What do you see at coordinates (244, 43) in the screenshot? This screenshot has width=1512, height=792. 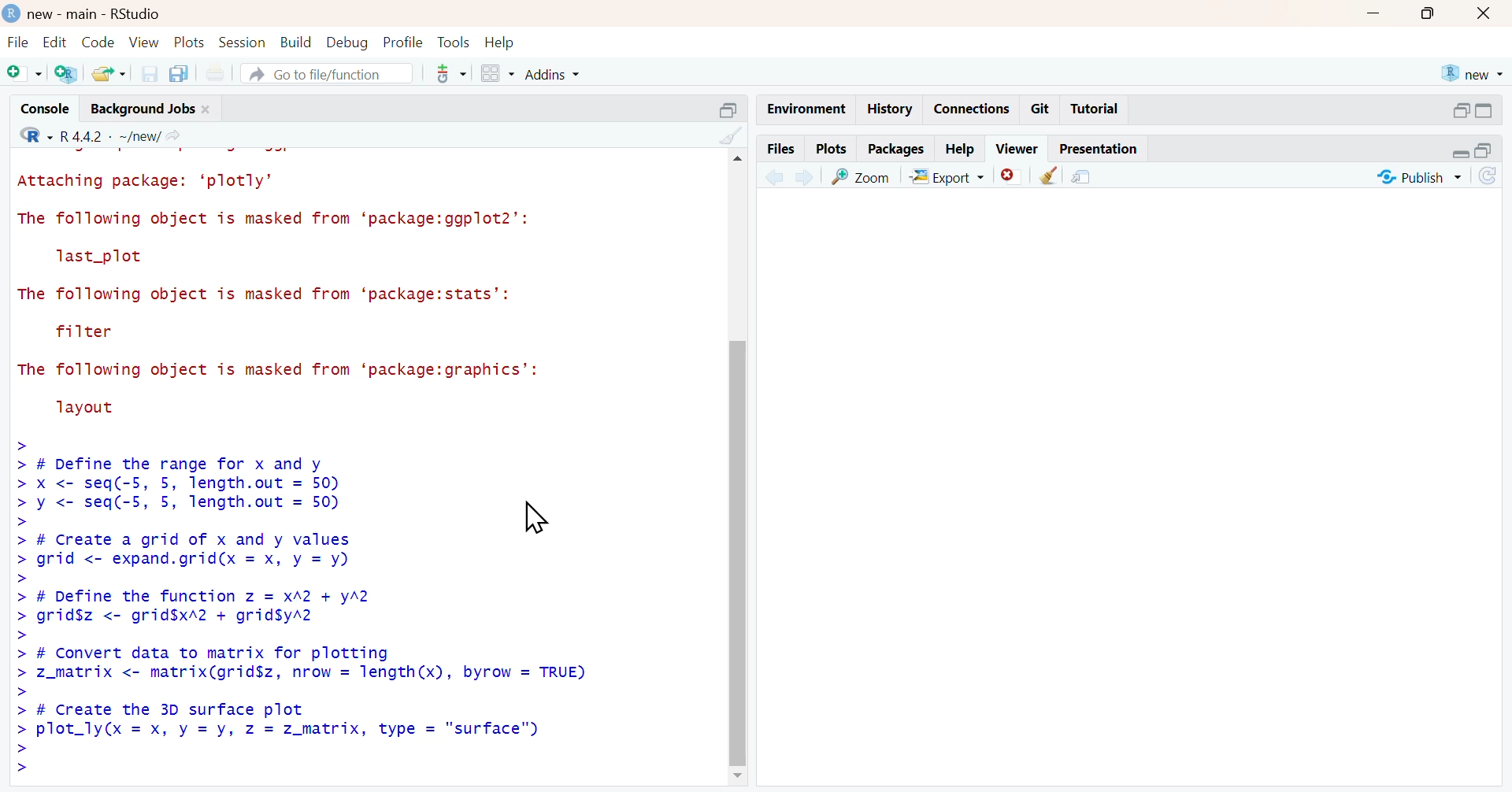 I see `session` at bounding box center [244, 43].